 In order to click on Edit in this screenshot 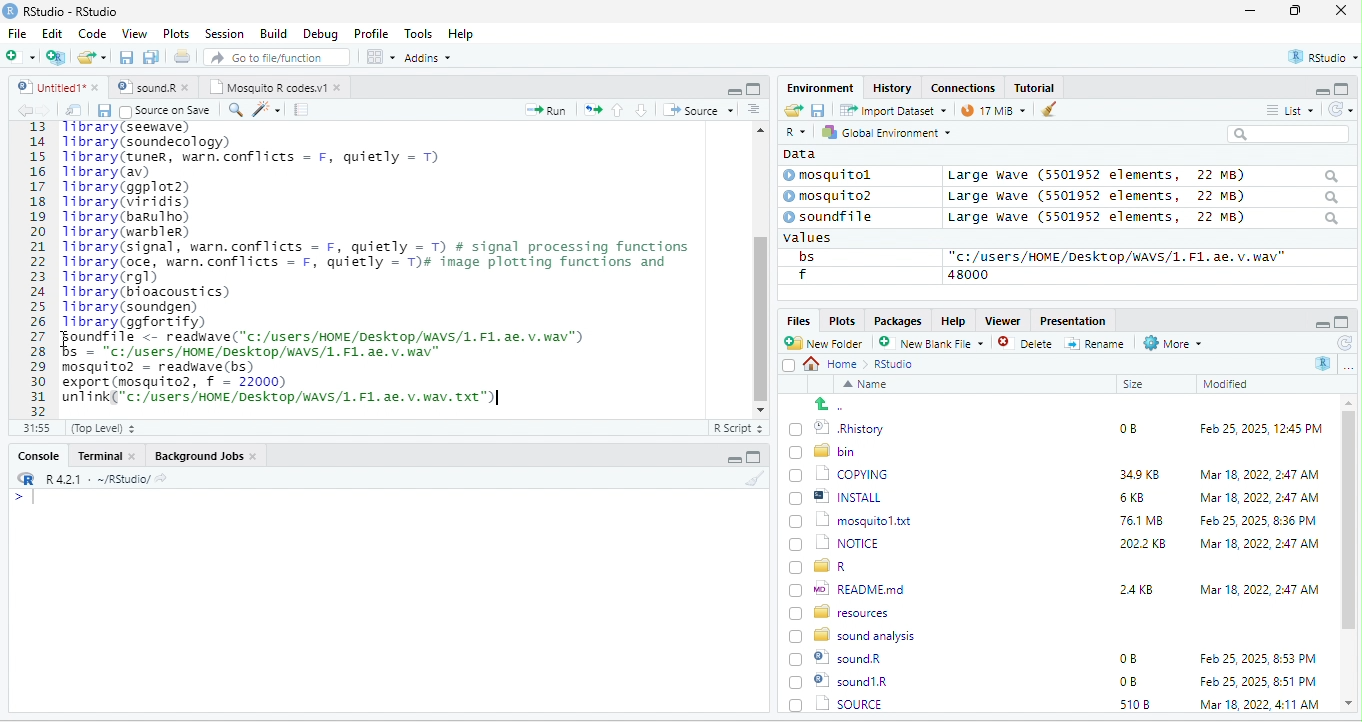, I will do `click(54, 33)`.